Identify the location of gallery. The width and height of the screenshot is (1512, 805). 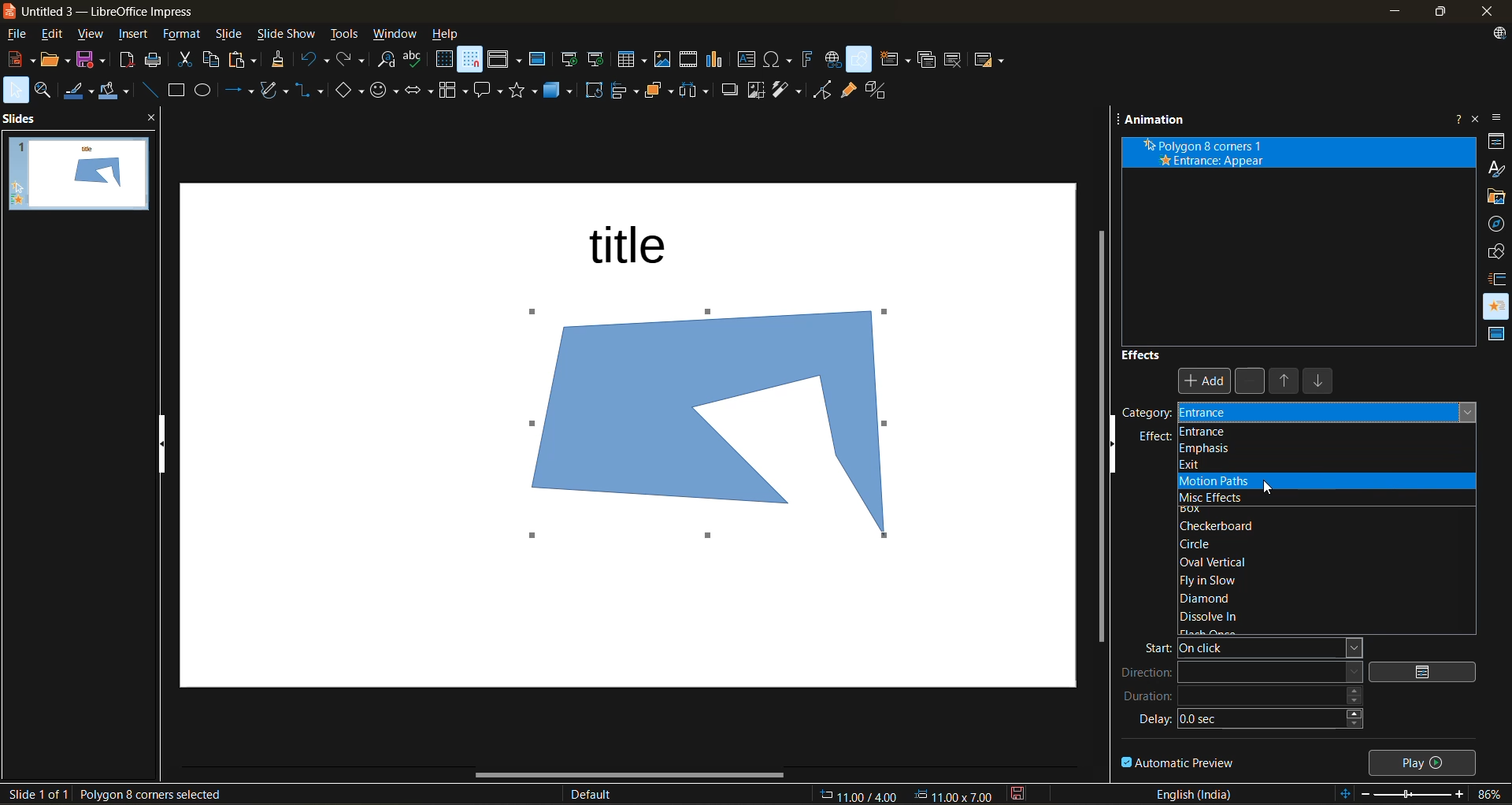
(1496, 198).